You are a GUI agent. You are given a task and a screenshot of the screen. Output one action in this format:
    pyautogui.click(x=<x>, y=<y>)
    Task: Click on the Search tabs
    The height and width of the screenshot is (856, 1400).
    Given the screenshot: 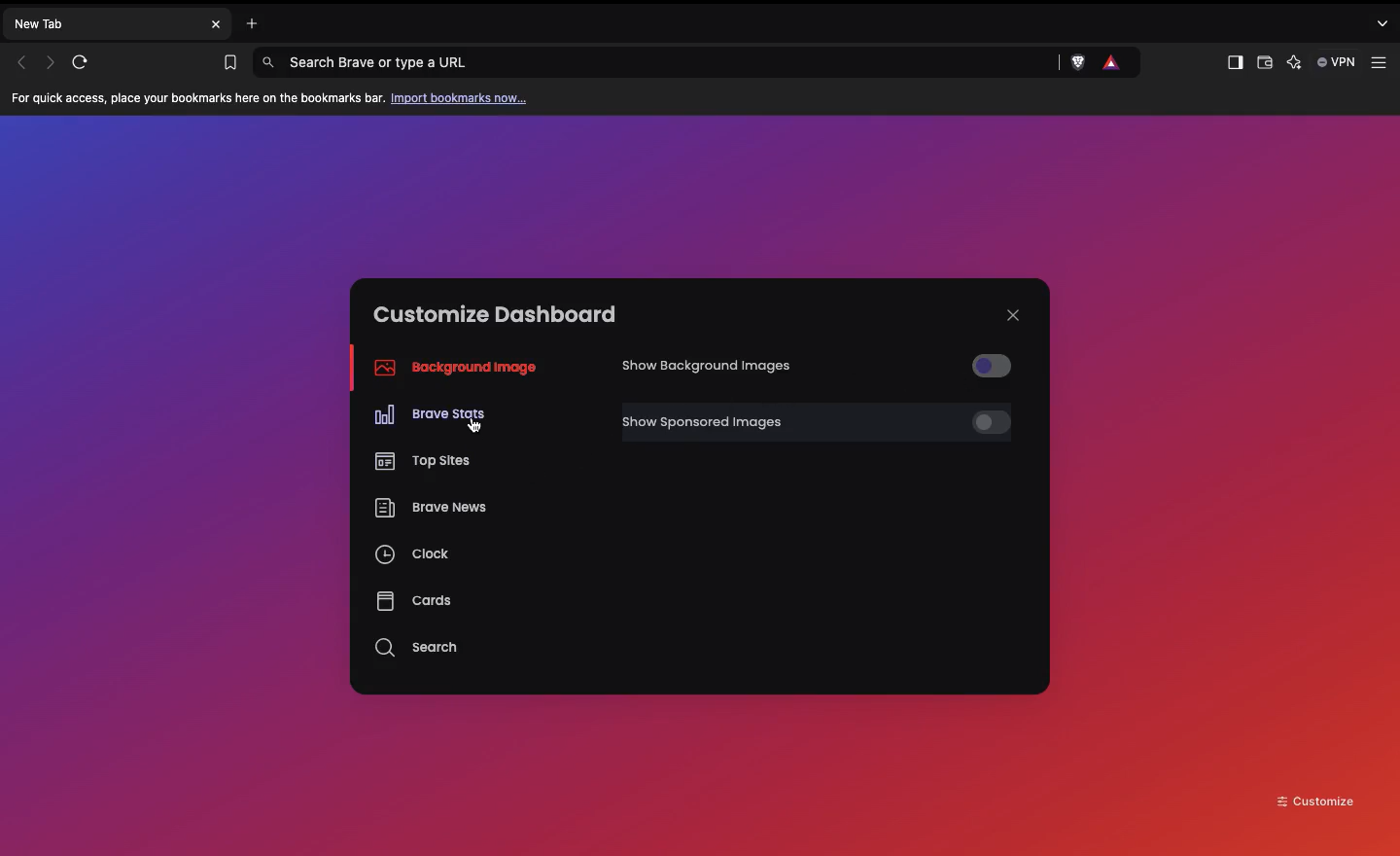 What is the action you would take?
    pyautogui.click(x=1385, y=22)
    